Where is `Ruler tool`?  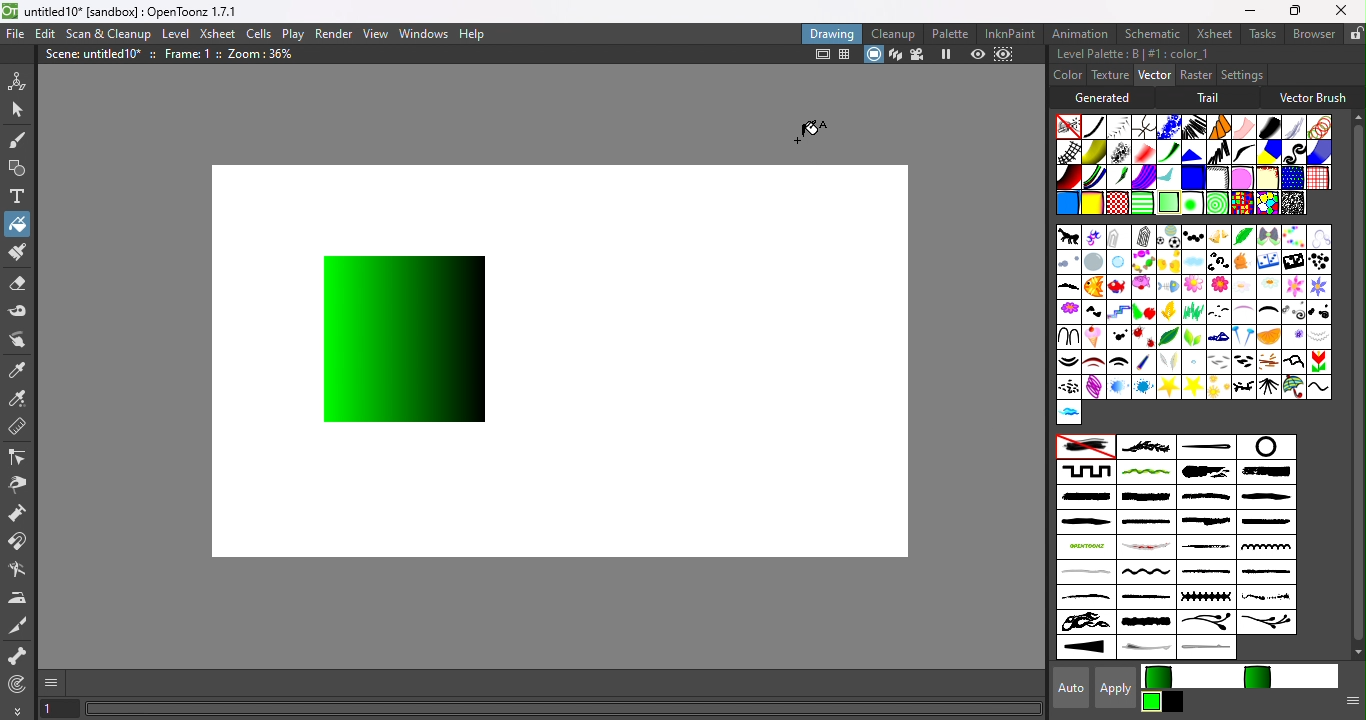
Ruler tool is located at coordinates (18, 429).